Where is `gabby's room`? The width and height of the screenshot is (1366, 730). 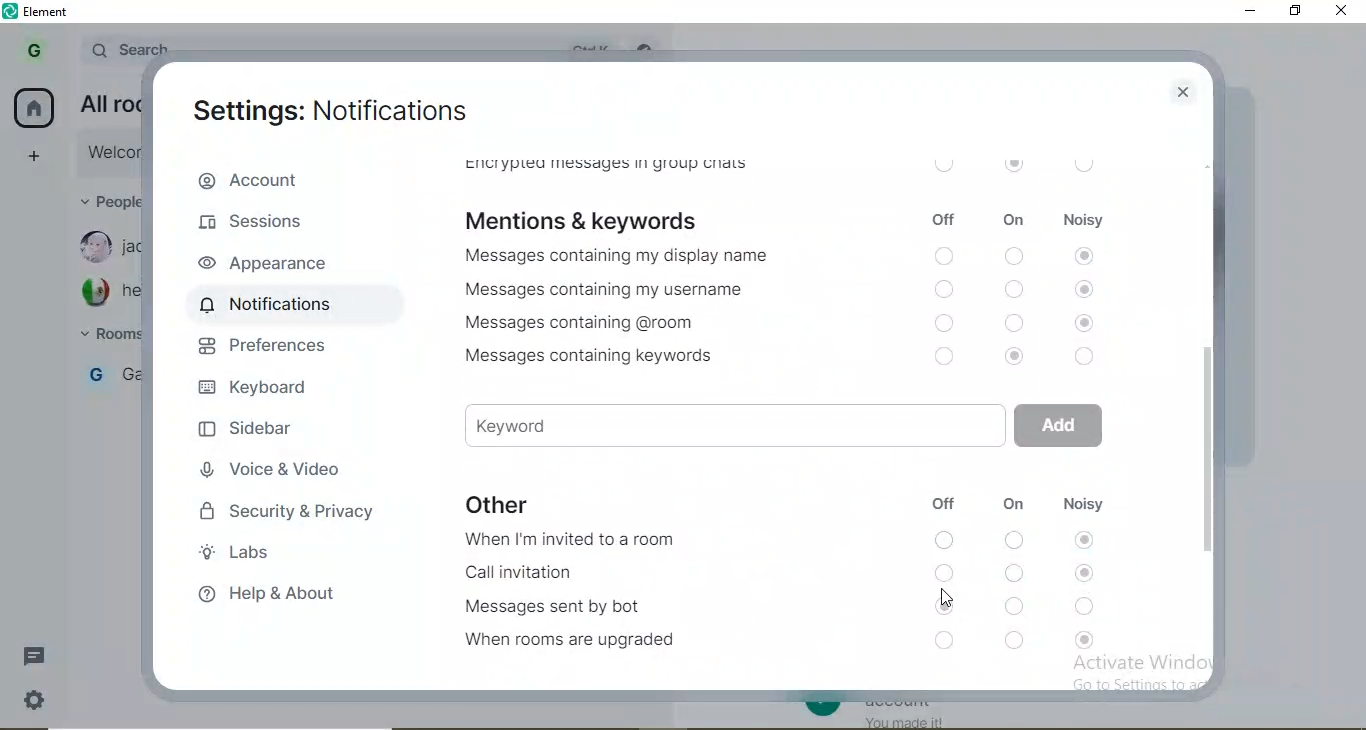
gabby's room is located at coordinates (113, 374).